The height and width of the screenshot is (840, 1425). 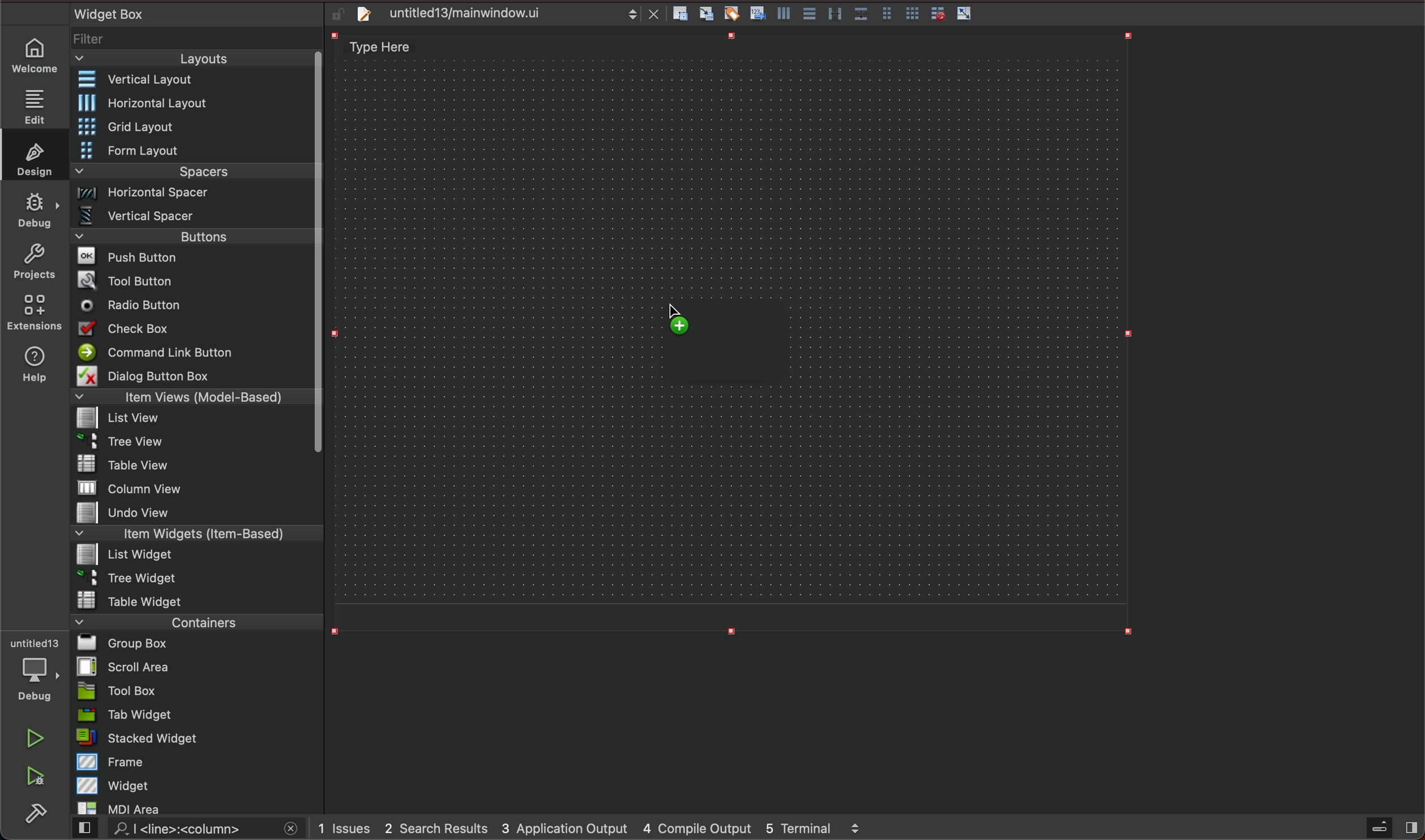 What do you see at coordinates (687, 309) in the screenshot?
I see `cursor` at bounding box center [687, 309].